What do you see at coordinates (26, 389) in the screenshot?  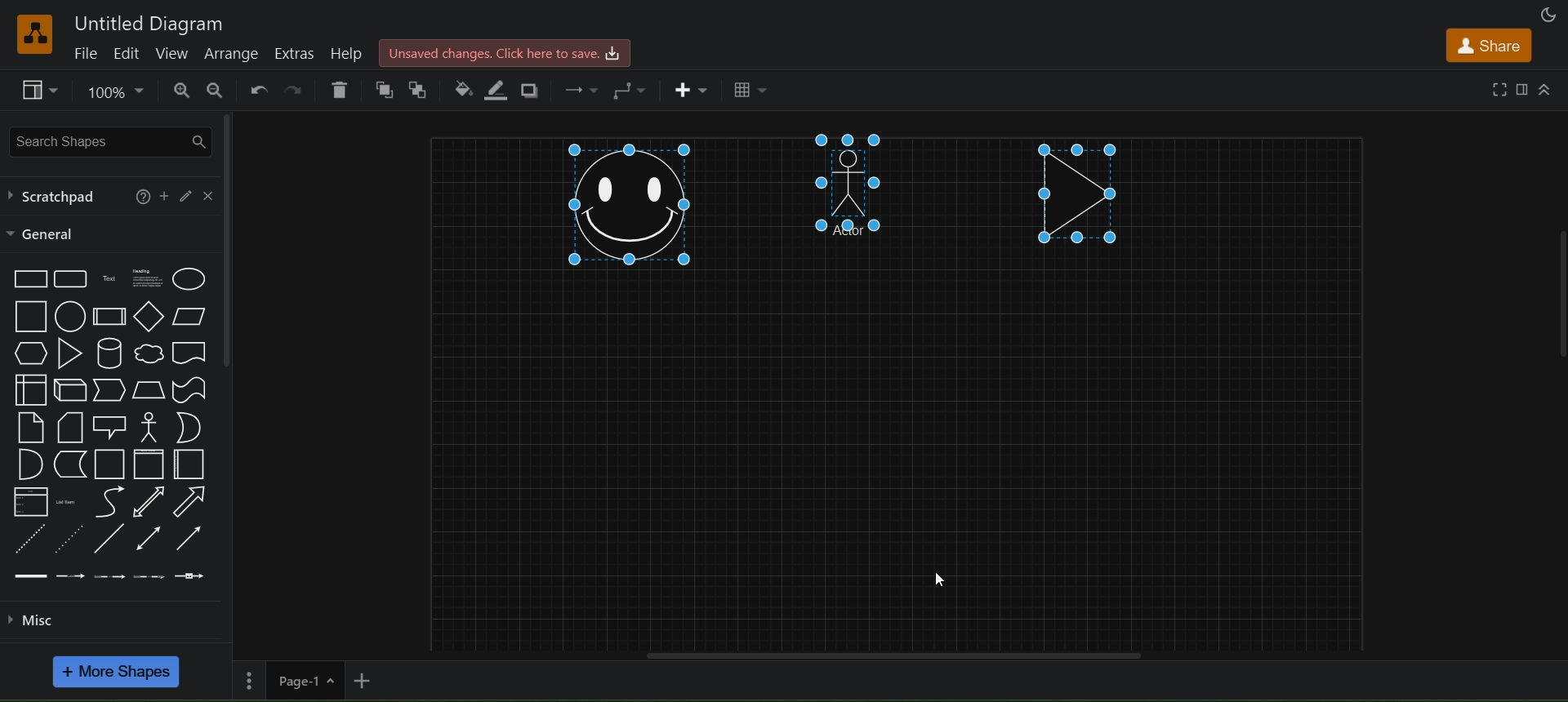 I see `internal storage` at bounding box center [26, 389].